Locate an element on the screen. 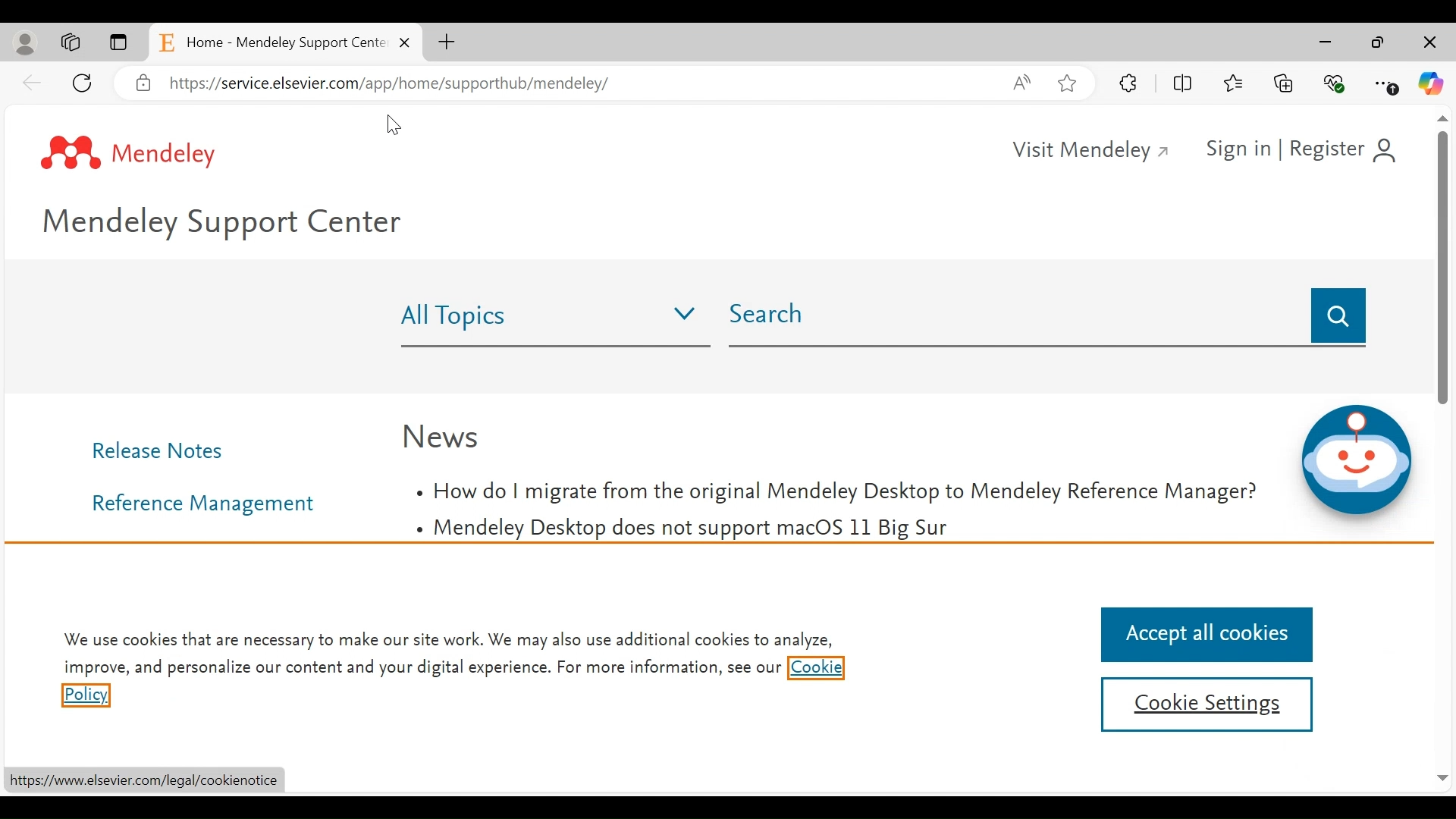  Scroll down is located at coordinates (1444, 777).